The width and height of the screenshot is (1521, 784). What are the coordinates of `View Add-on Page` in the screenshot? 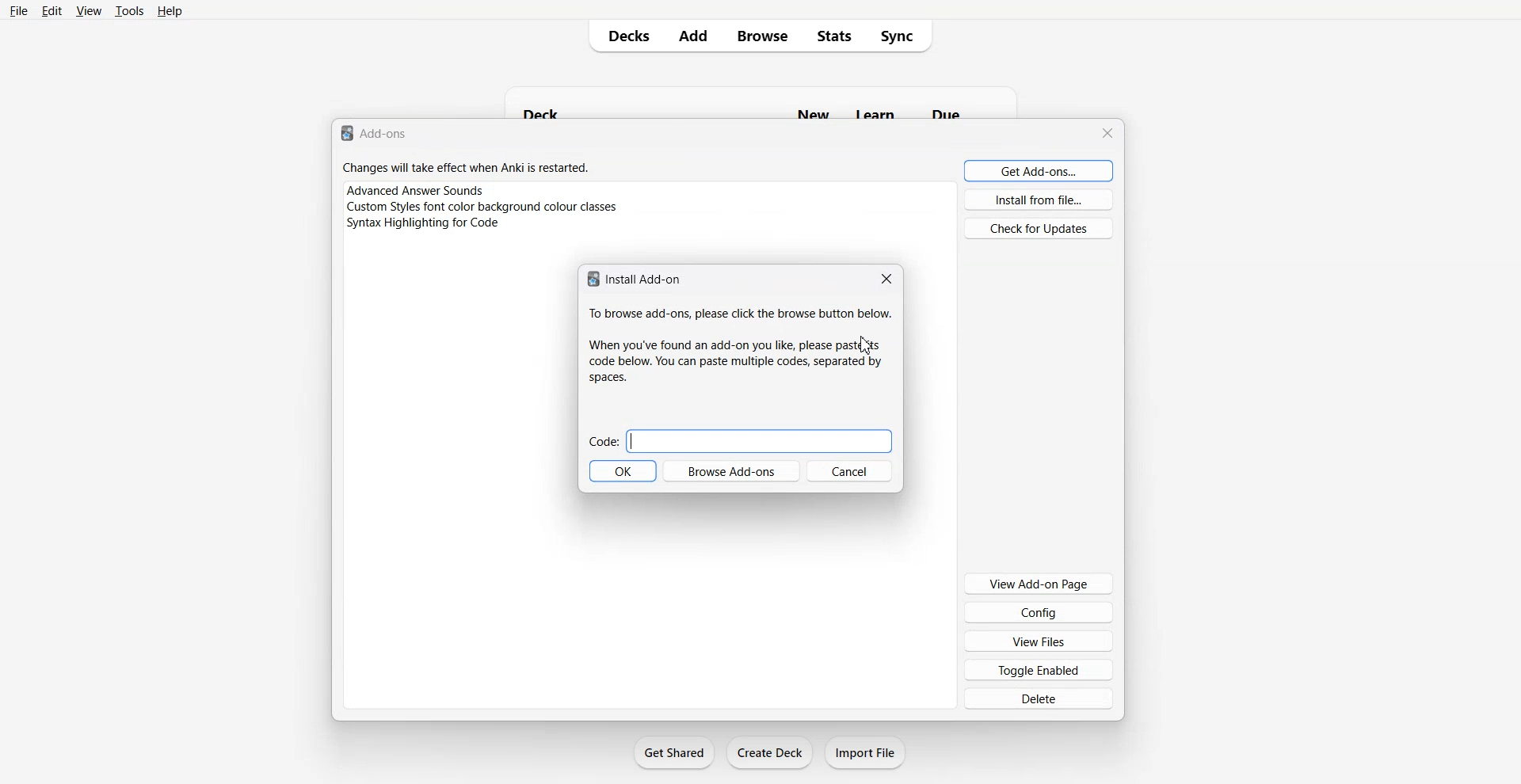 It's located at (1038, 583).